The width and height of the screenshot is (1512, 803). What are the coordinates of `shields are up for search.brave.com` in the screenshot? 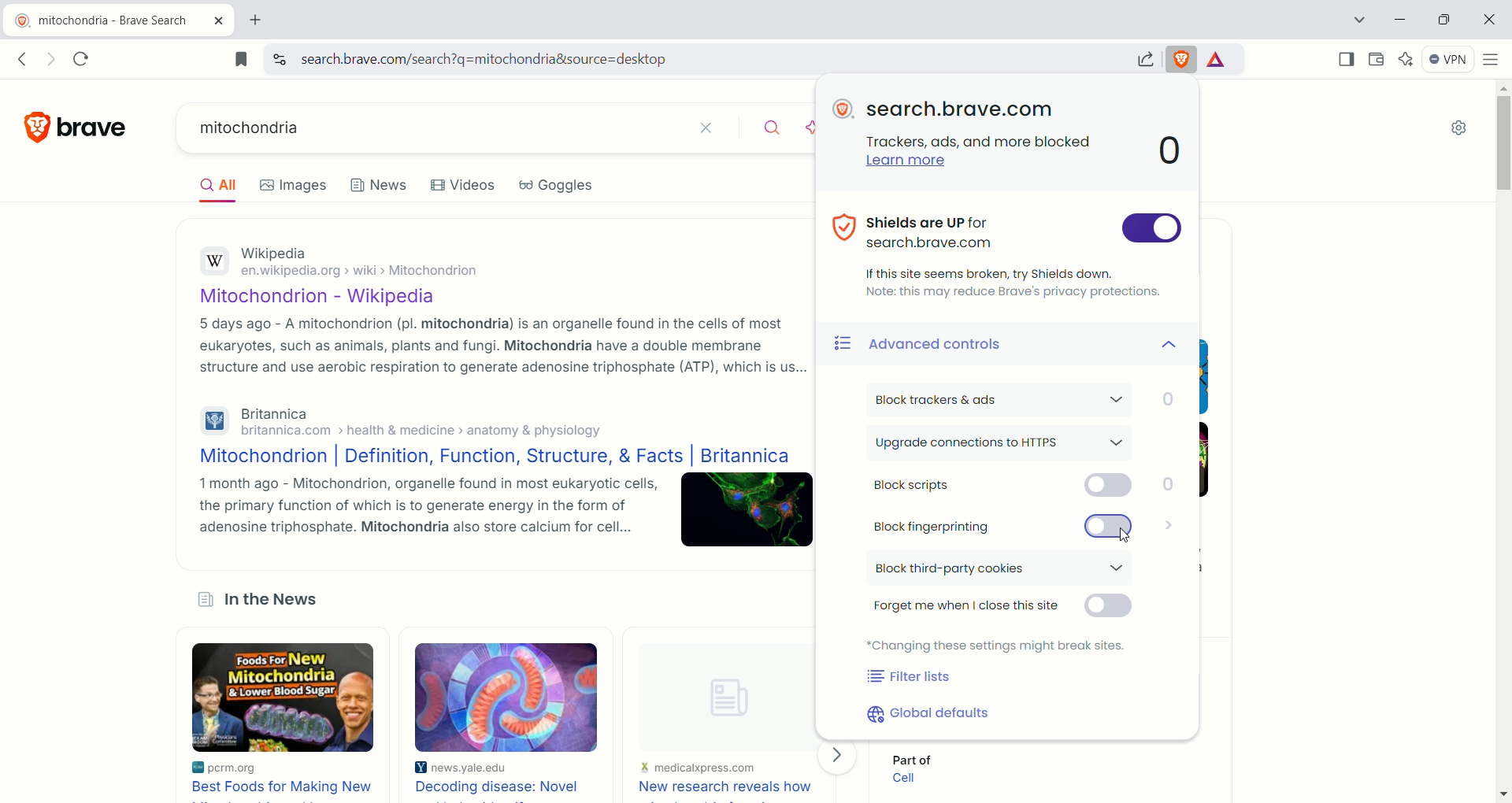 It's located at (972, 228).